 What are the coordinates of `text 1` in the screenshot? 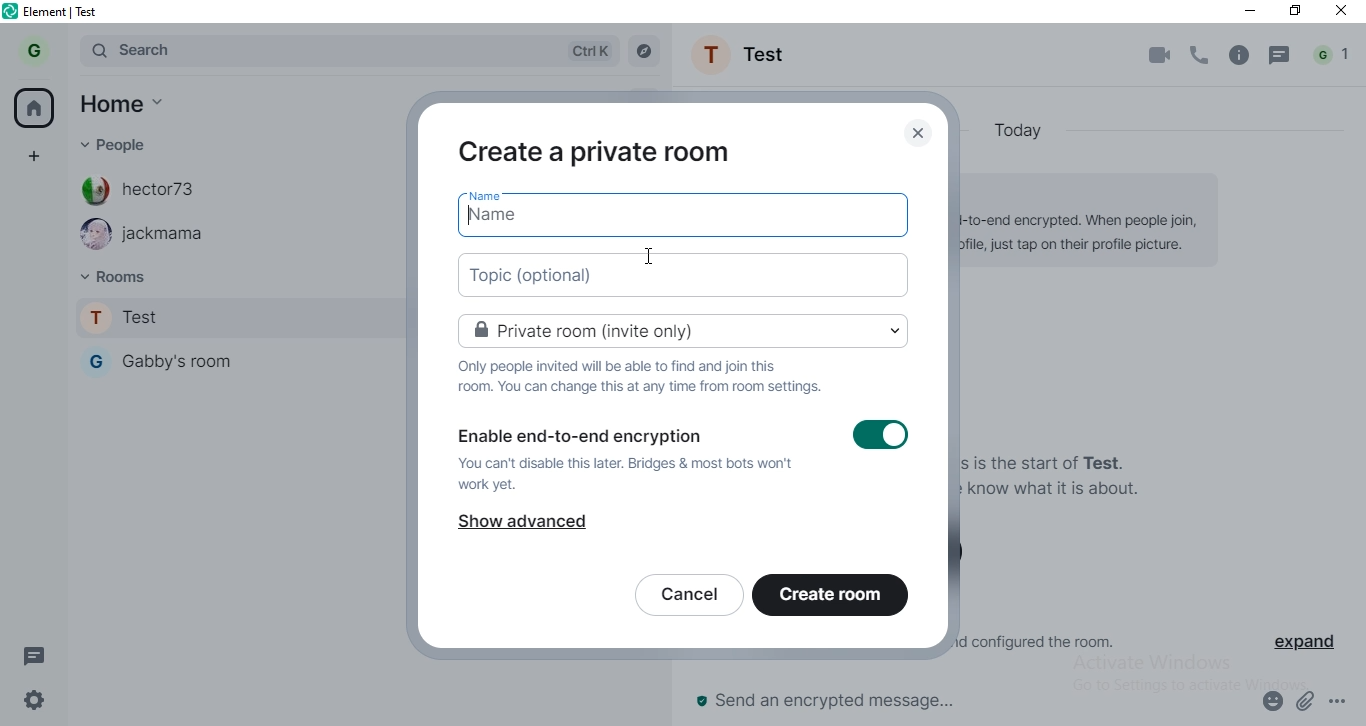 It's located at (643, 379).